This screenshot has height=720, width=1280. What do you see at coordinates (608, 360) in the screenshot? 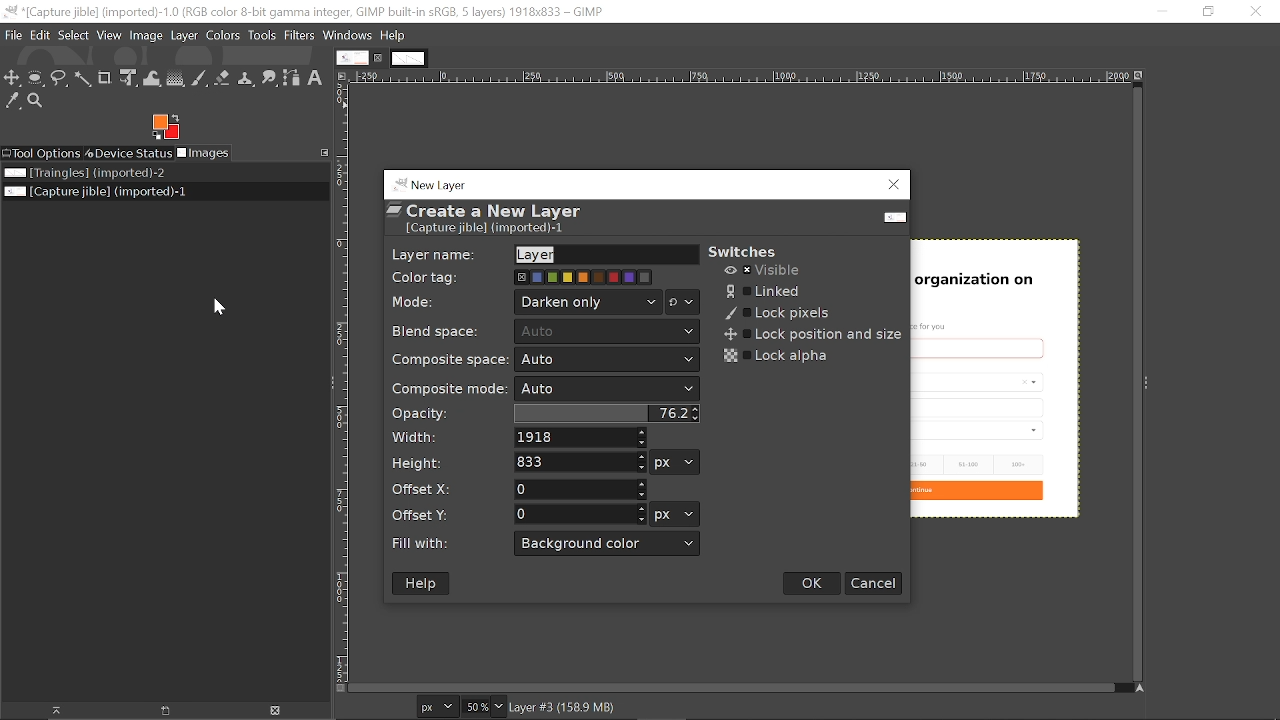
I see `Composite space` at bounding box center [608, 360].